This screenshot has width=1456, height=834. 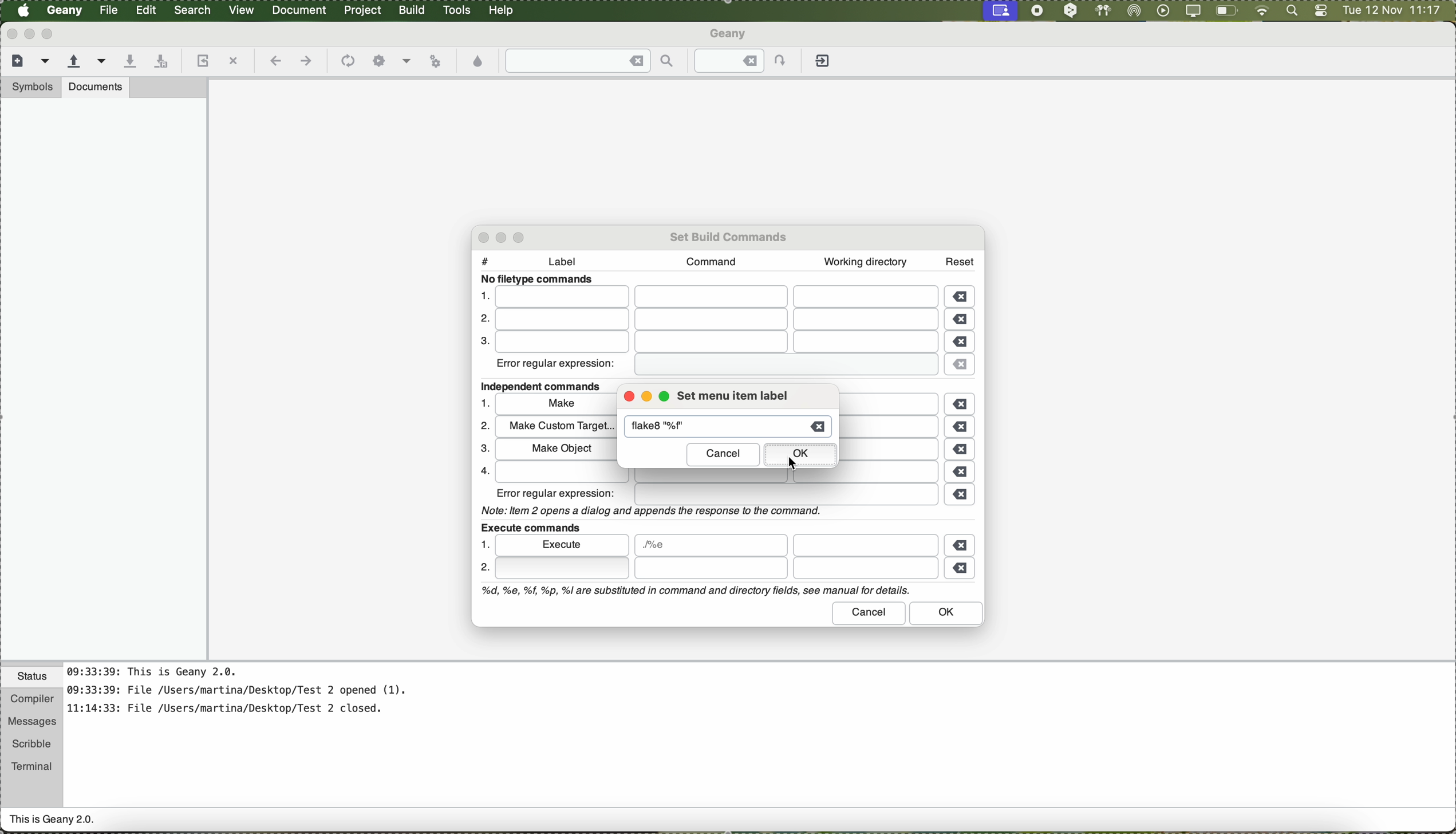 What do you see at coordinates (1262, 11) in the screenshot?
I see `wifi` at bounding box center [1262, 11].